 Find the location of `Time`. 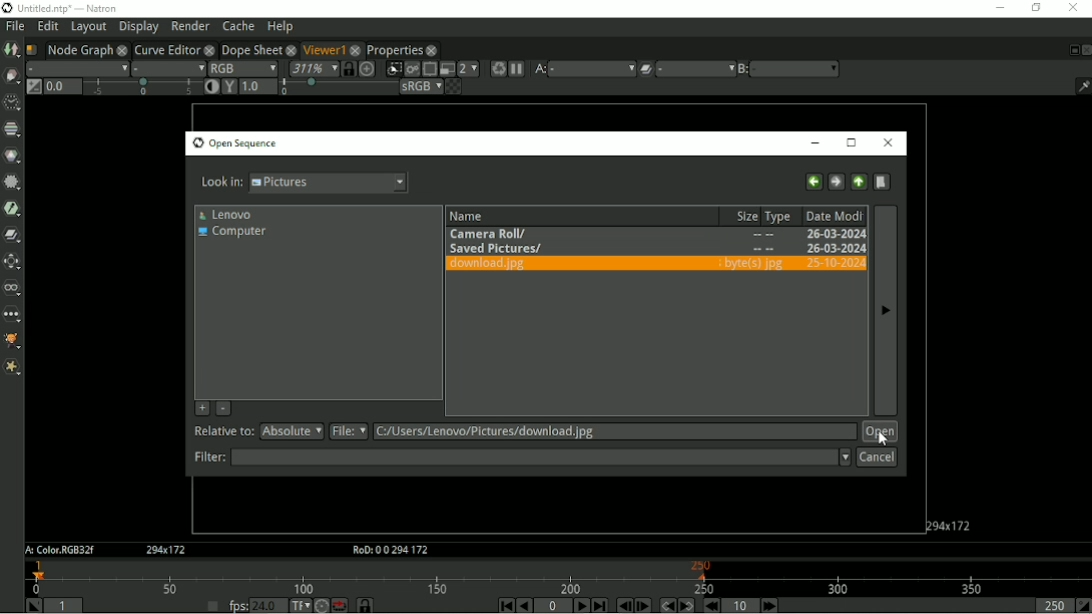

Time is located at coordinates (10, 102).